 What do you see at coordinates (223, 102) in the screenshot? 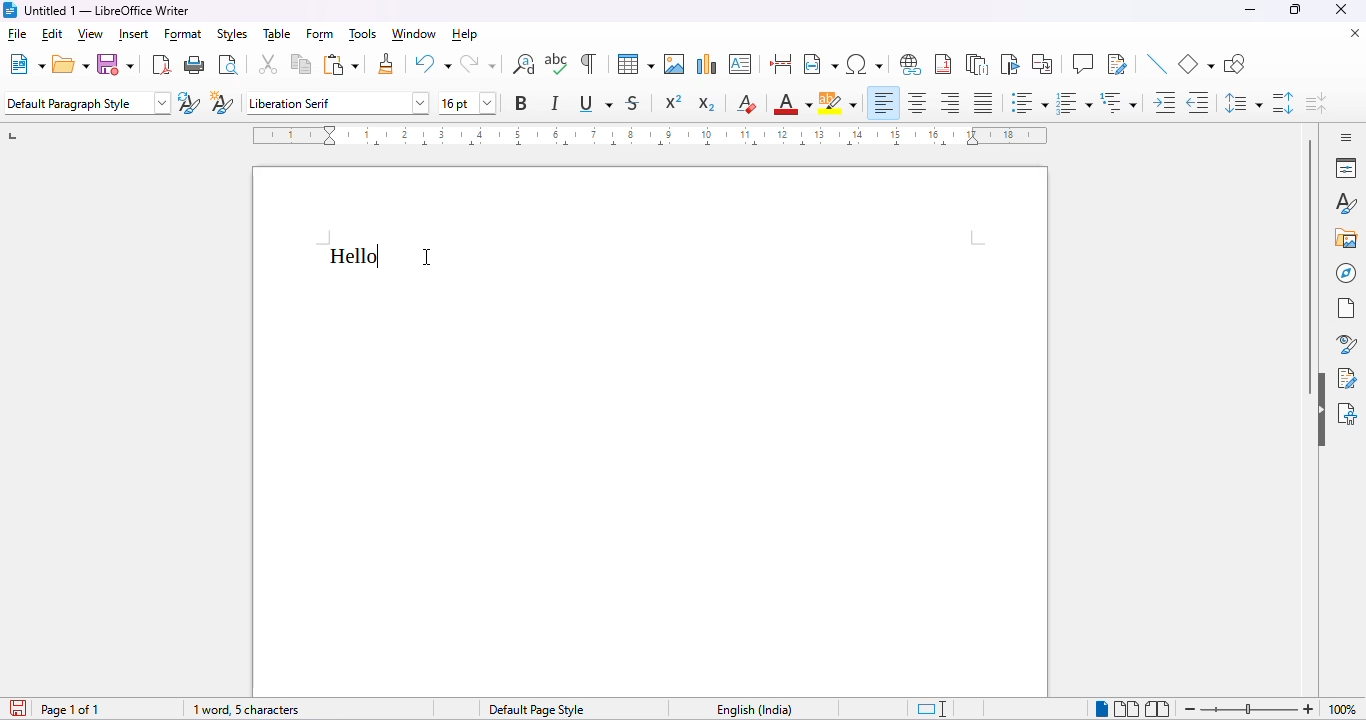
I see `new style from selection` at bounding box center [223, 102].